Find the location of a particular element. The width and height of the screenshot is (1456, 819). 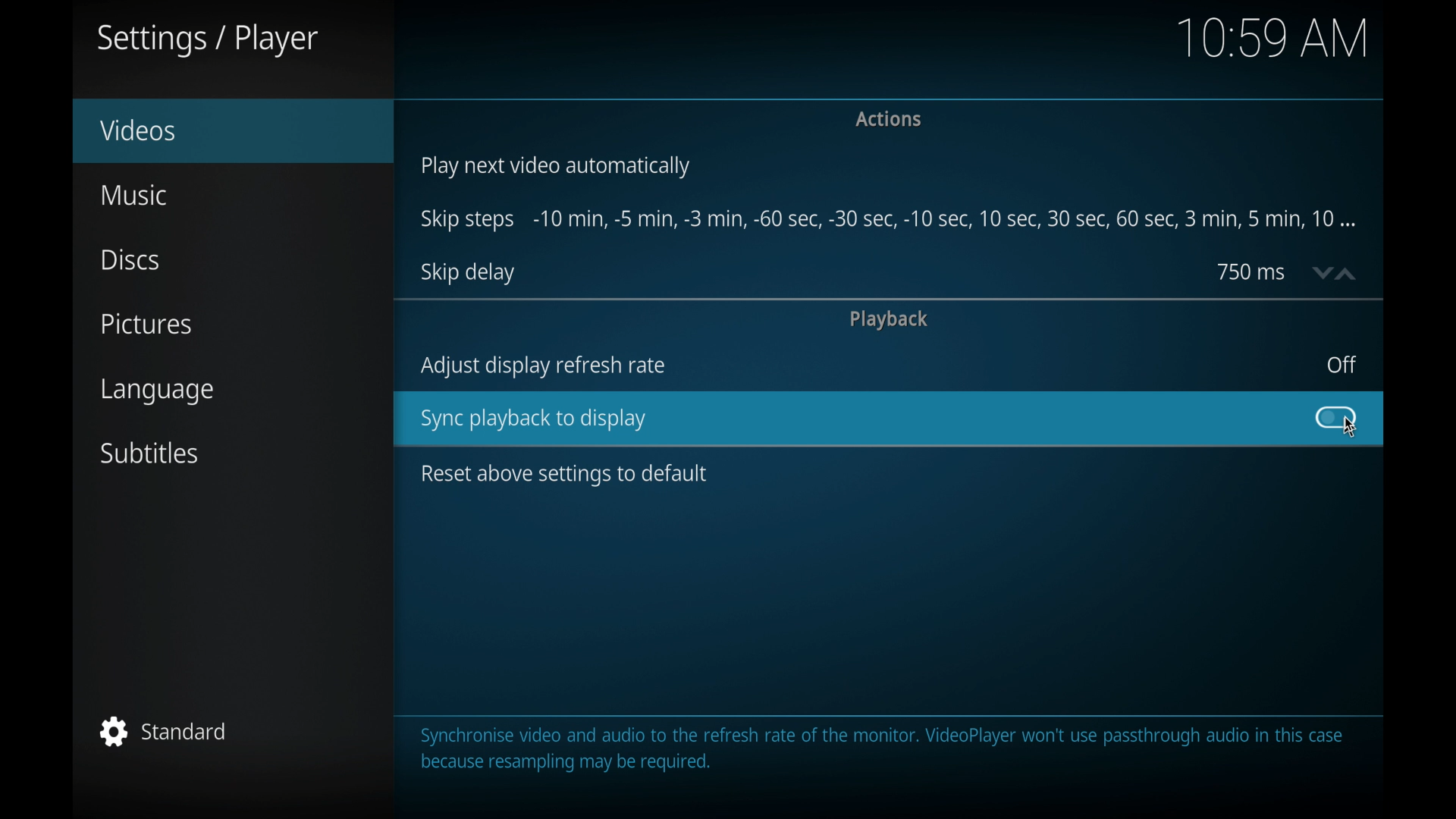

standard is located at coordinates (162, 730).